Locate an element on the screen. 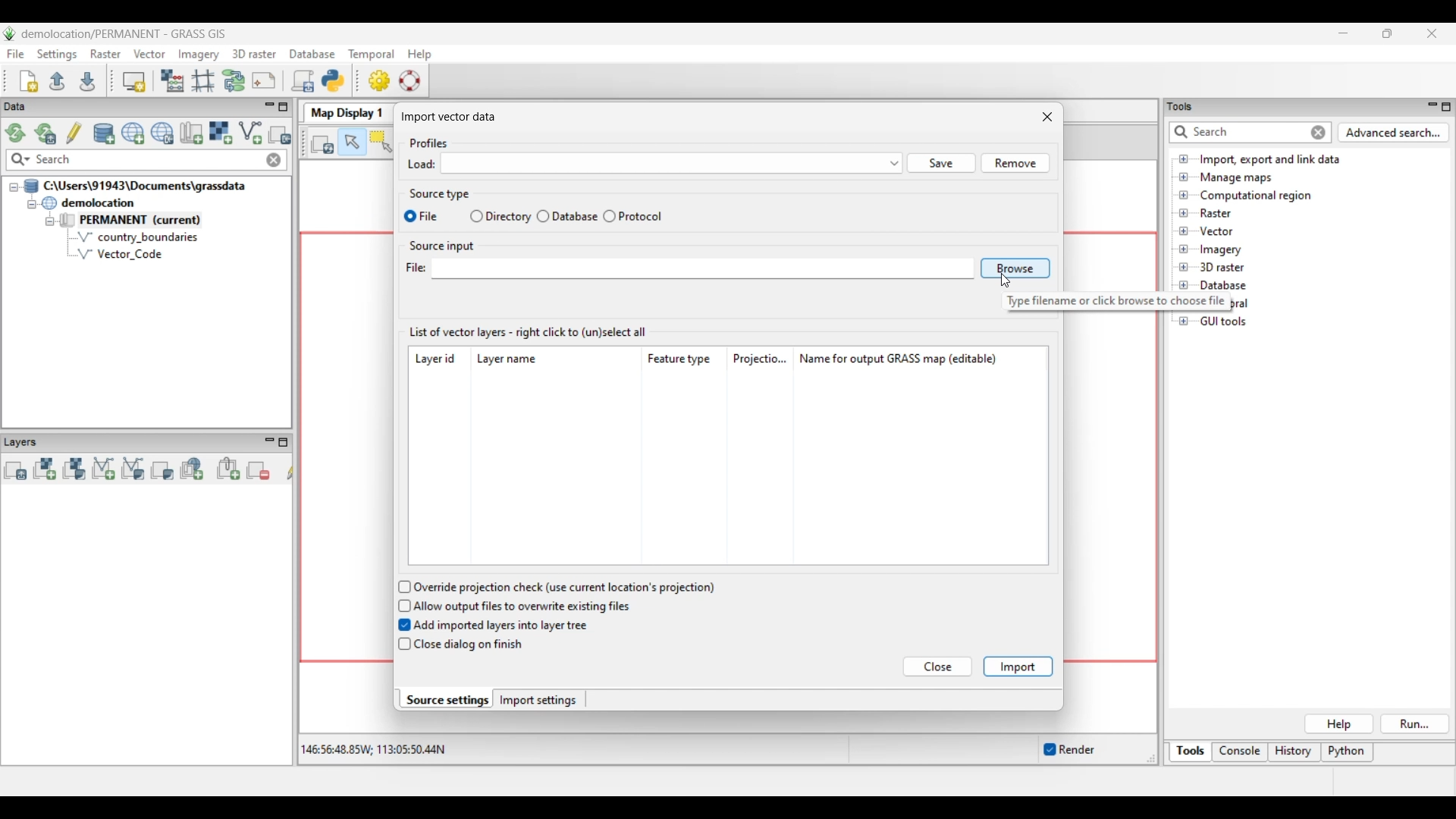  Open existing workspace file is located at coordinates (57, 80).